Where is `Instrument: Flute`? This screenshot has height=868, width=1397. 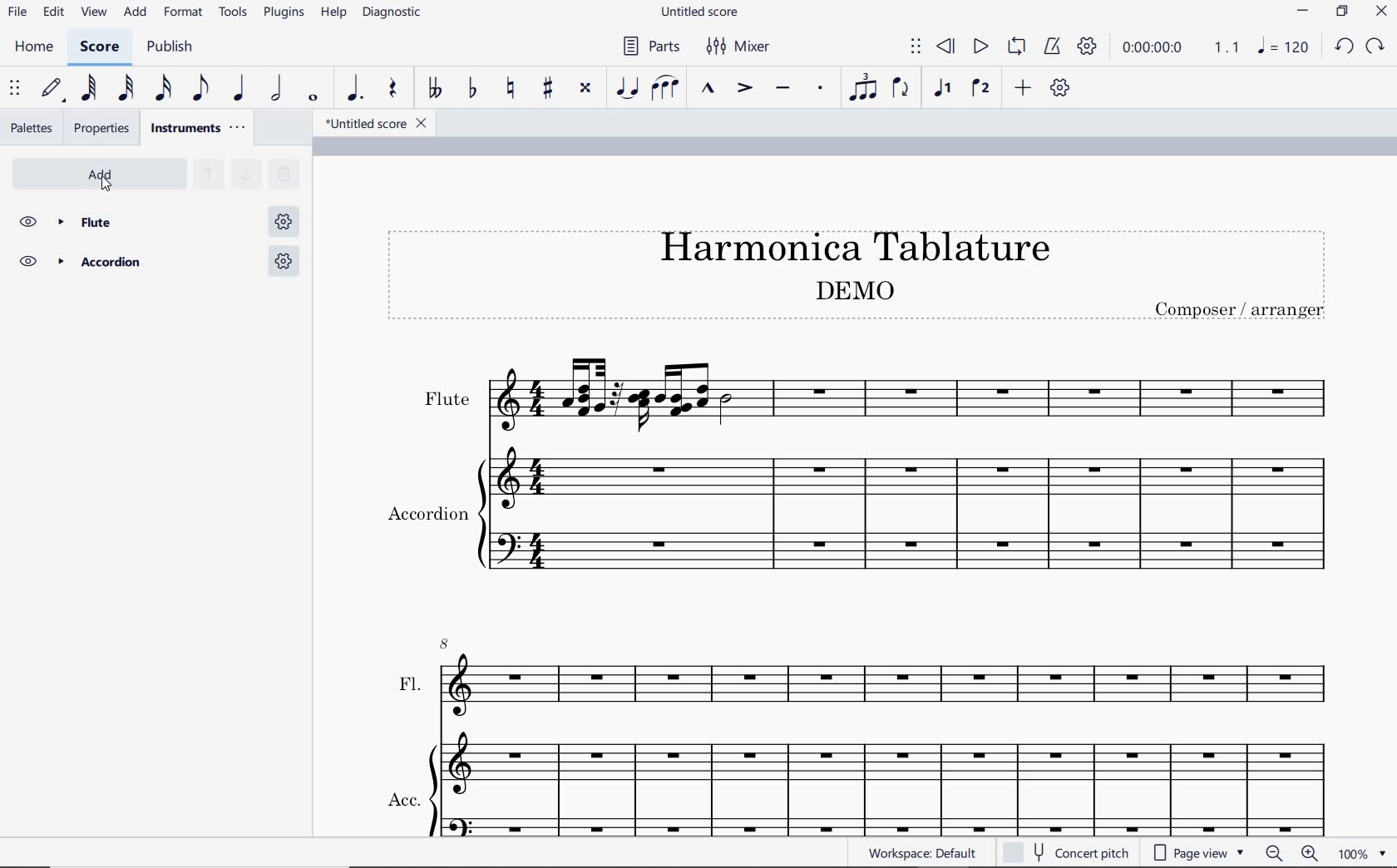 Instrument: Flute is located at coordinates (871, 397).